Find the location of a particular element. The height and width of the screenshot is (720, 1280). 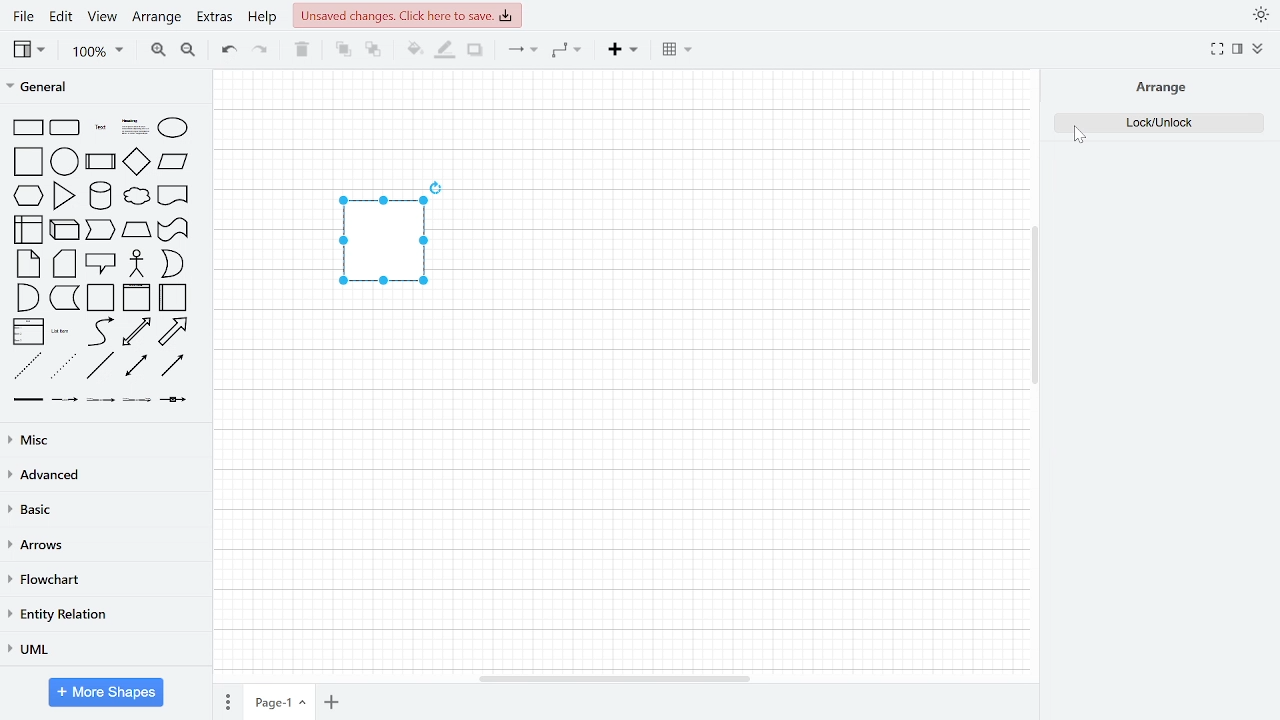

diamond is located at coordinates (137, 162).